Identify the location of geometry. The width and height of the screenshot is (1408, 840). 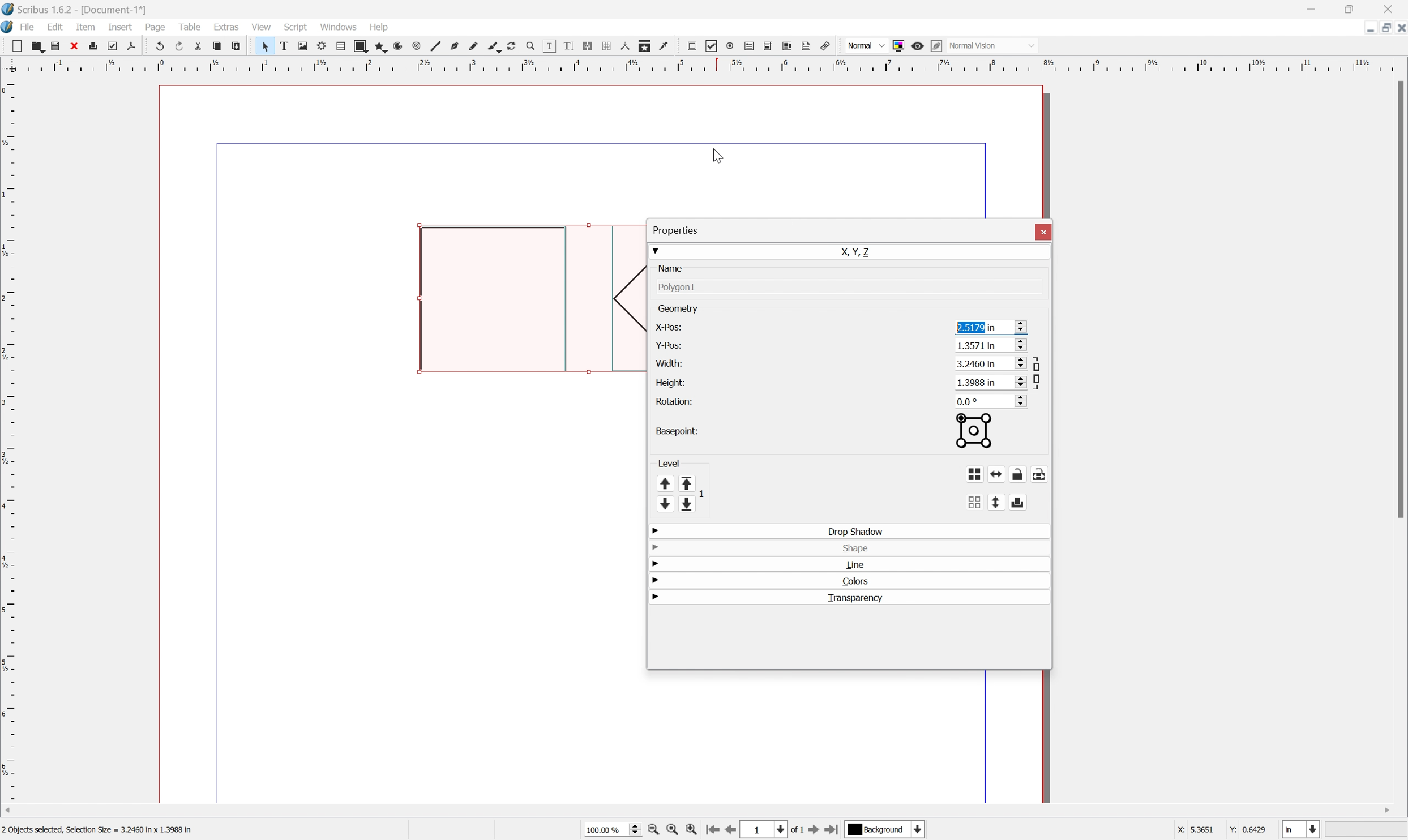
(679, 307).